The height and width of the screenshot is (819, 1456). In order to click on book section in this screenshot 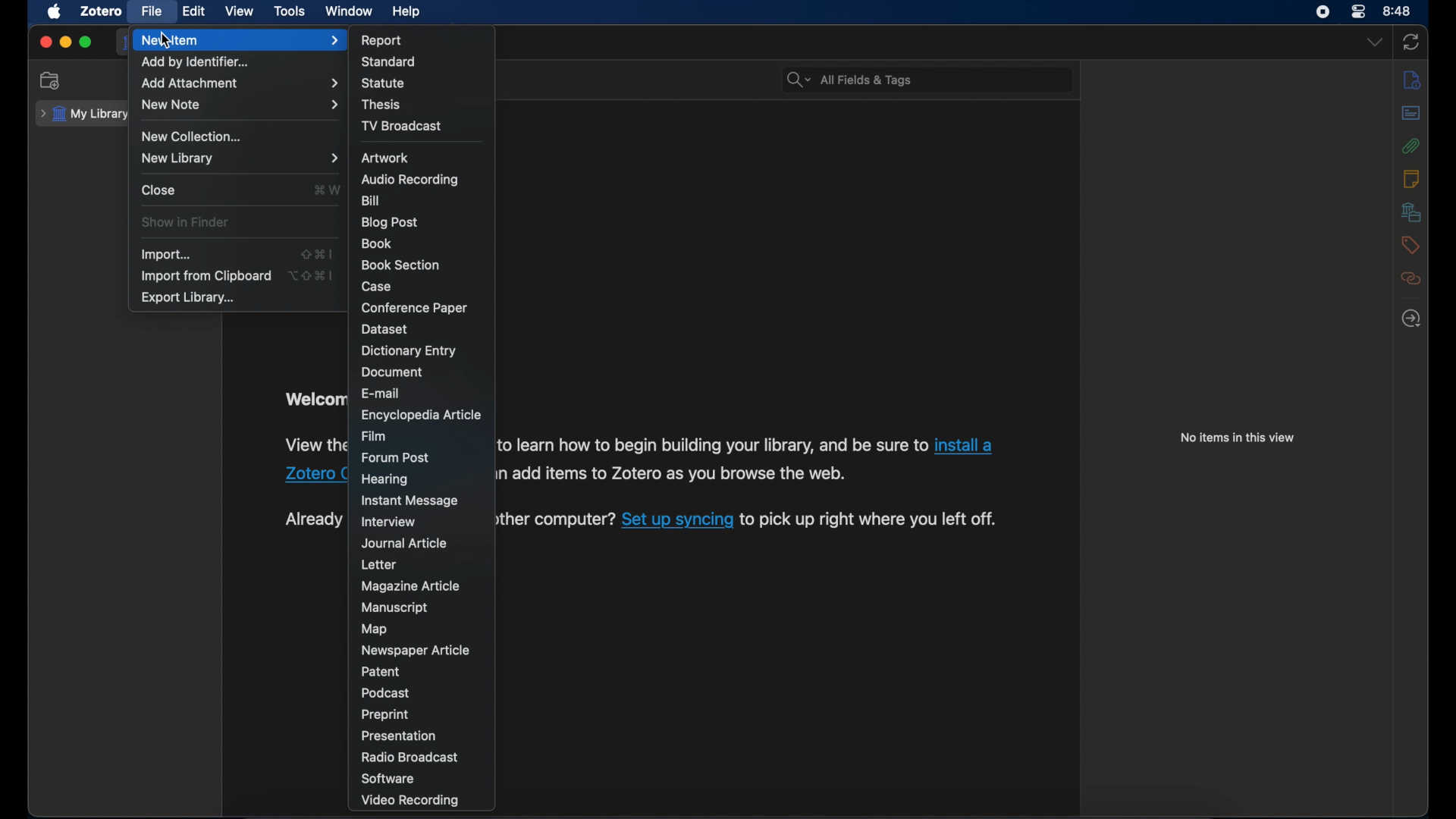, I will do `click(401, 265)`.